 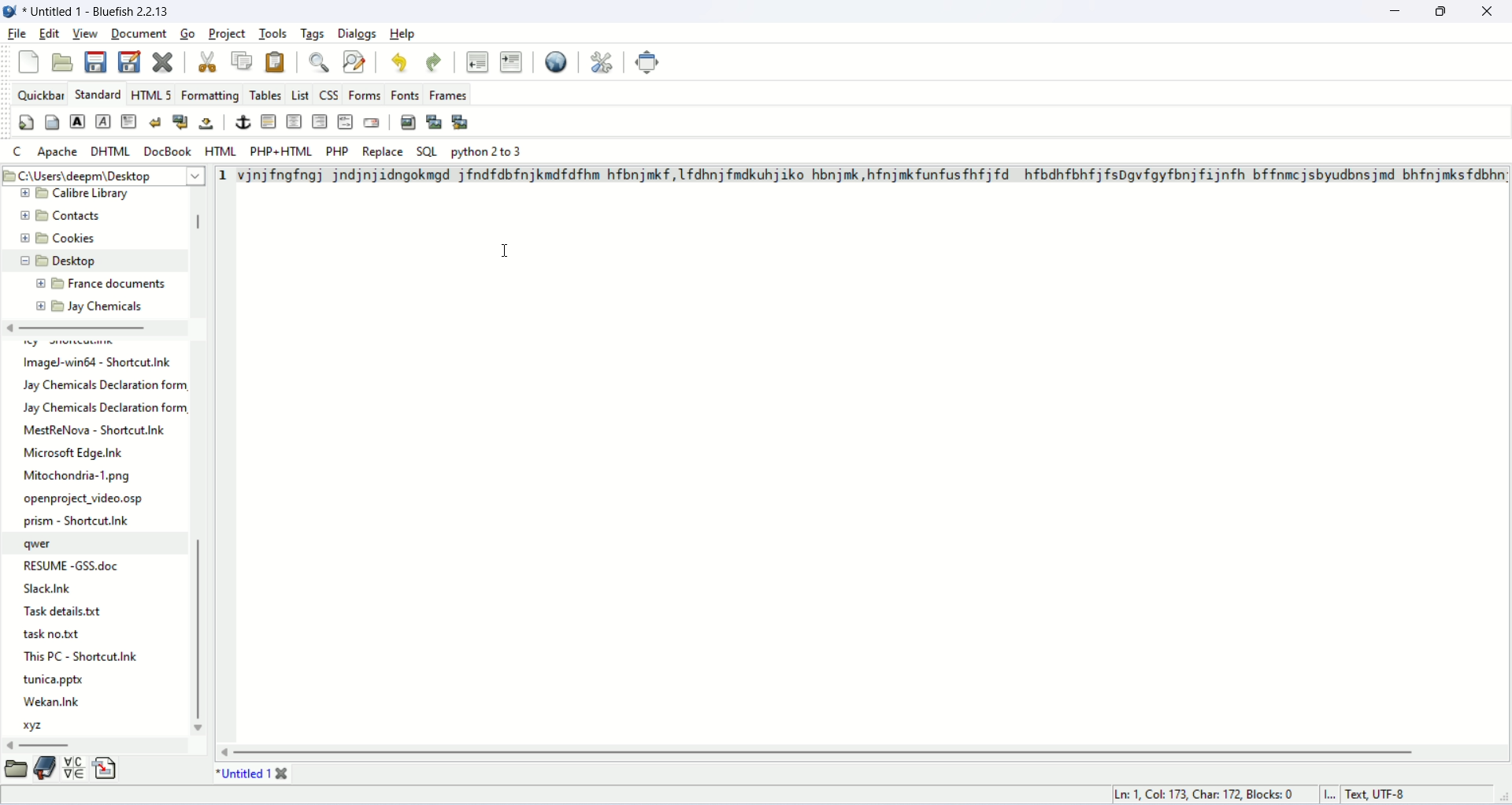 What do you see at coordinates (17, 35) in the screenshot?
I see `file` at bounding box center [17, 35].